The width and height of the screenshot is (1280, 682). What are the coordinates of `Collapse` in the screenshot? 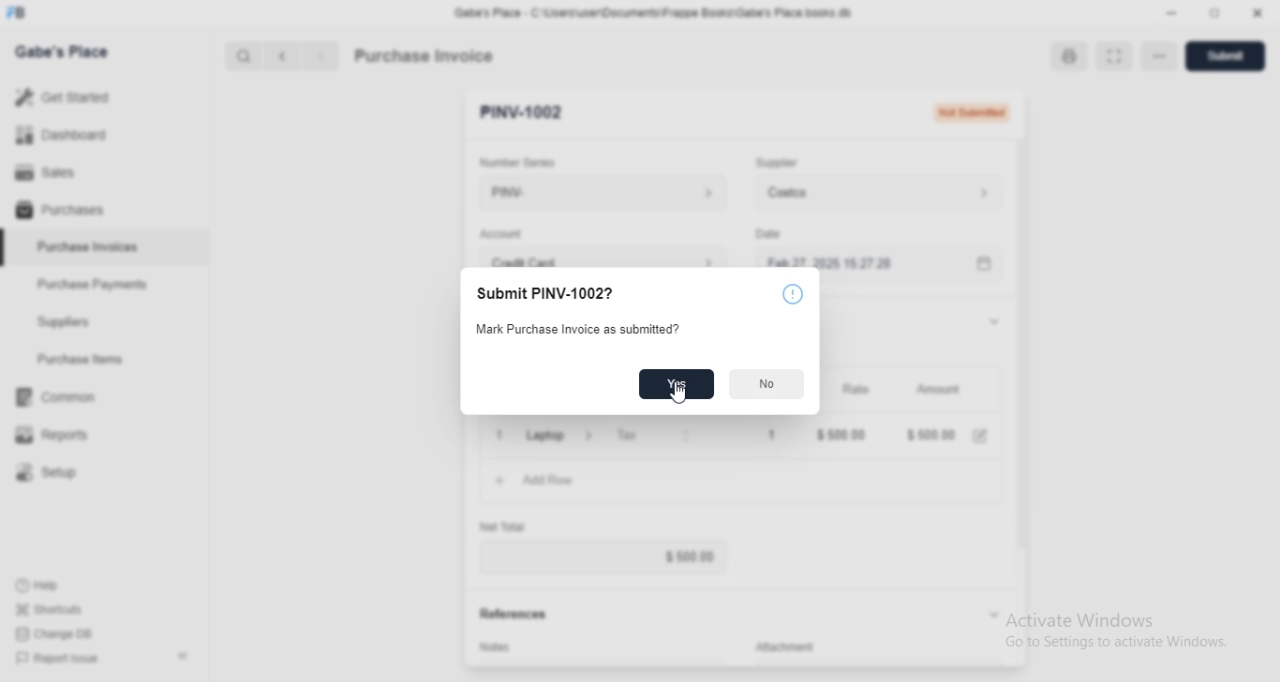 It's located at (994, 614).